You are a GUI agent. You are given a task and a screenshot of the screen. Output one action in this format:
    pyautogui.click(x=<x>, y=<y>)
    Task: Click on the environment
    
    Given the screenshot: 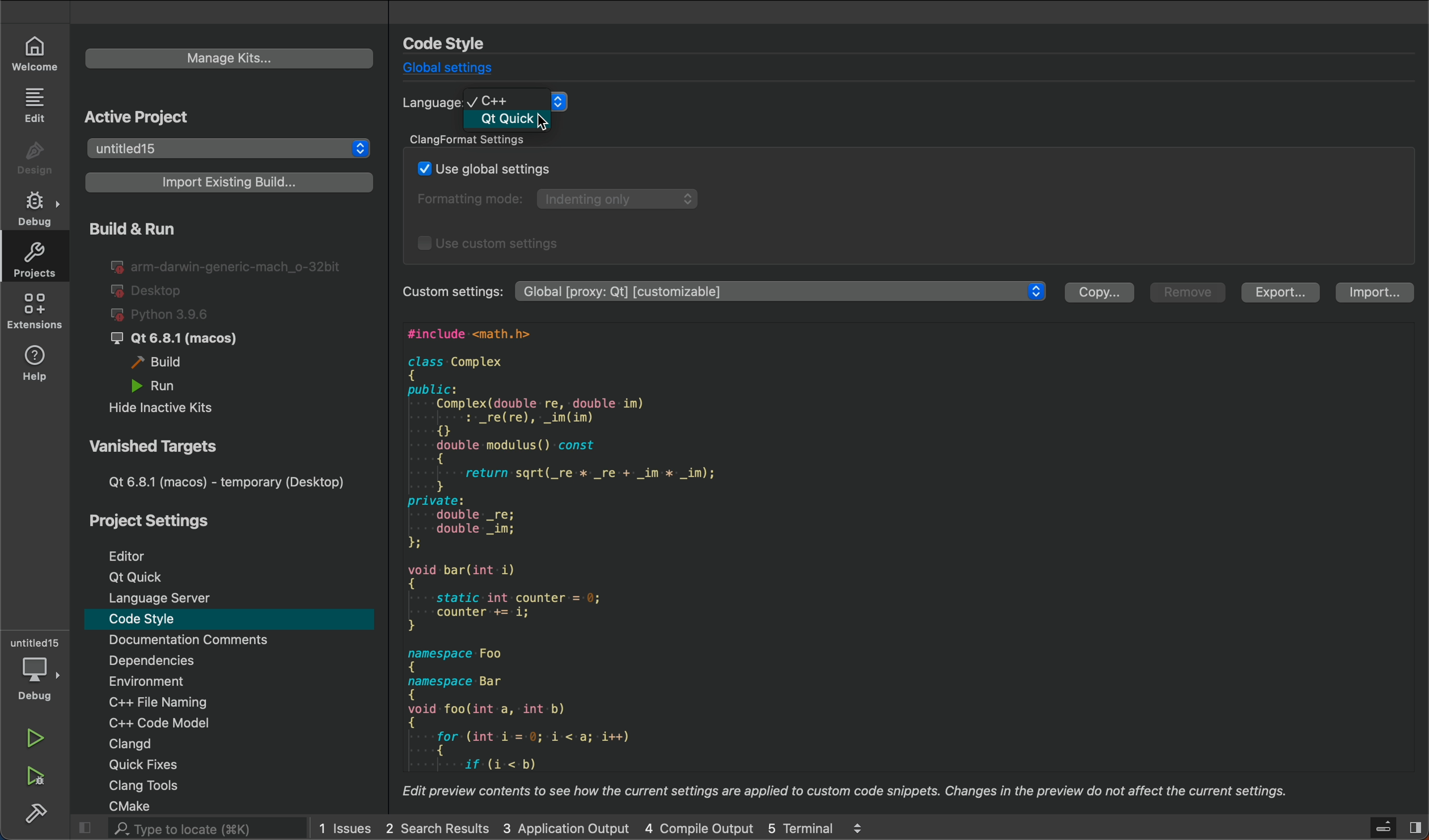 What is the action you would take?
    pyautogui.click(x=173, y=680)
    